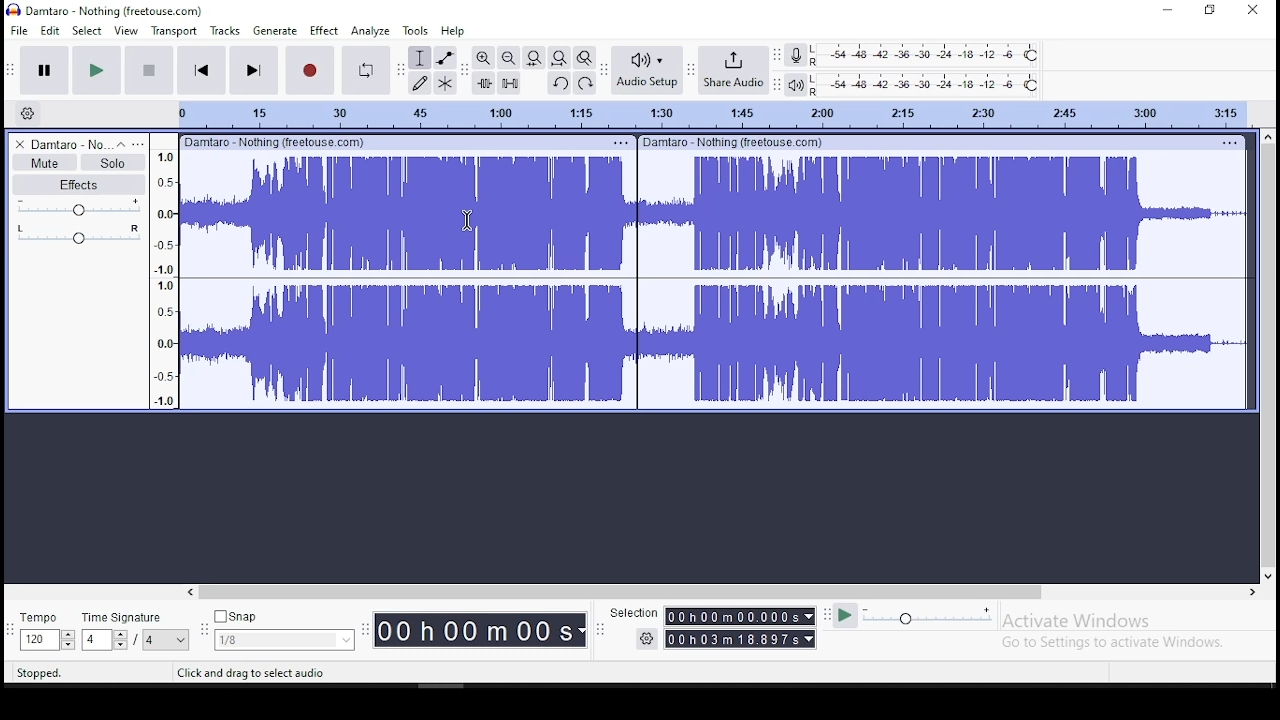 The height and width of the screenshot is (720, 1280). What do you see at coordinates (166, 640) in the screenshot?
I see `menu` at bounding box center [166, 640].